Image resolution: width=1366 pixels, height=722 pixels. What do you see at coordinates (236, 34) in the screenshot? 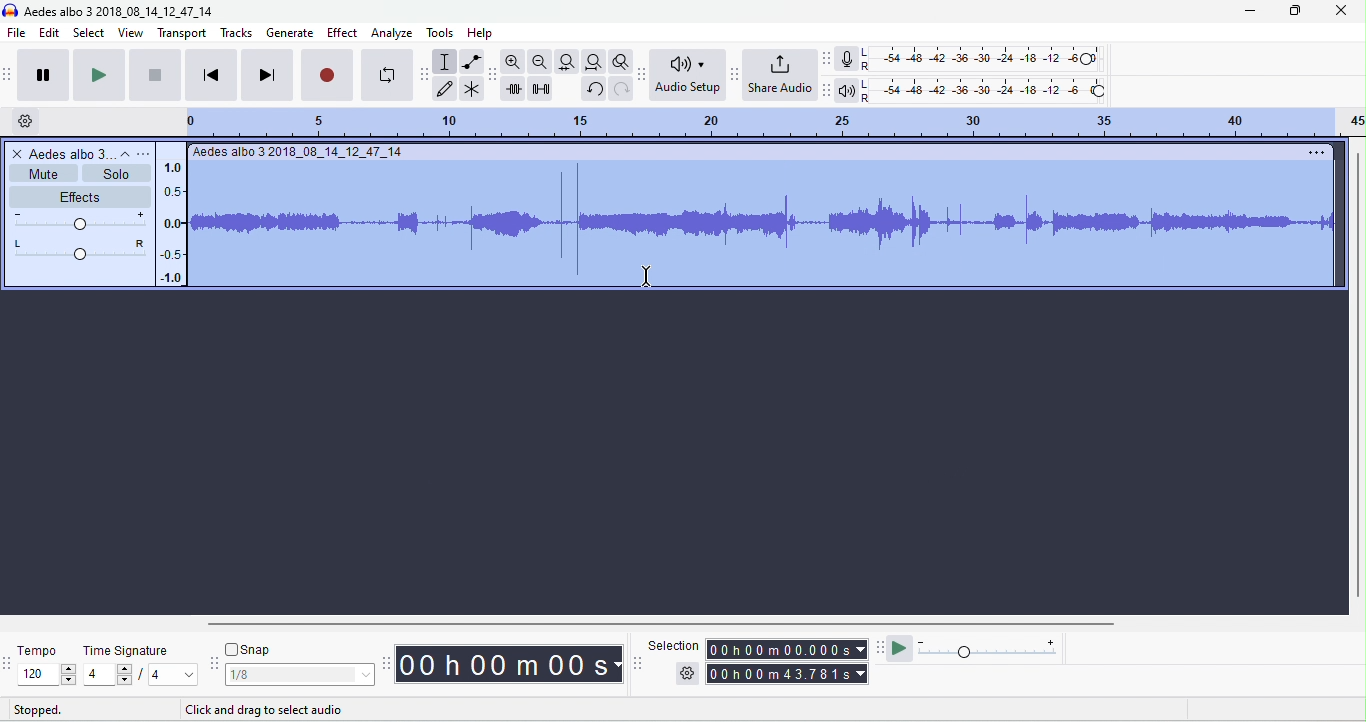
I see `tracks` at bounding box center [236, 34].